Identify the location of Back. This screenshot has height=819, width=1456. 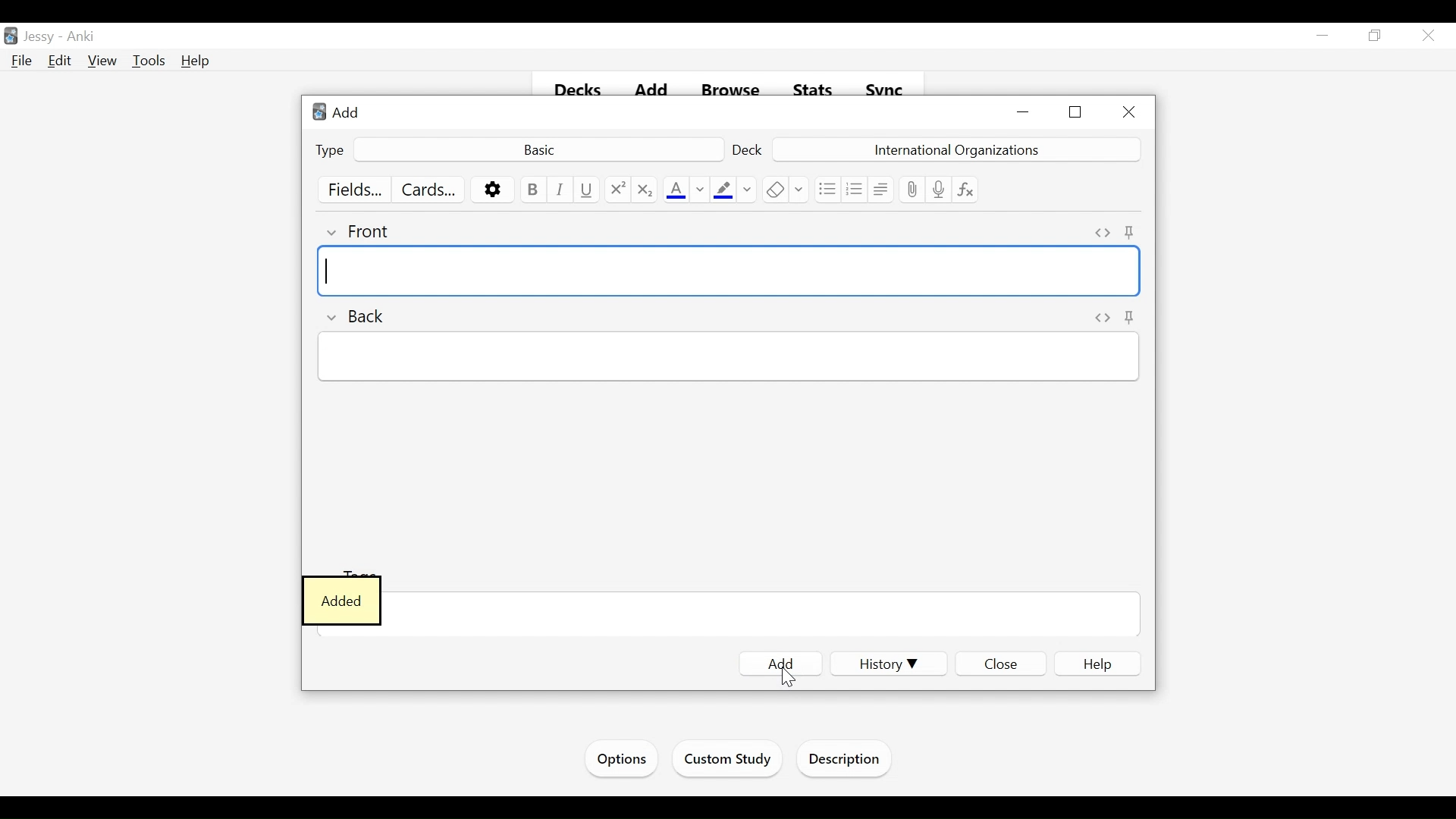
(356, 317).